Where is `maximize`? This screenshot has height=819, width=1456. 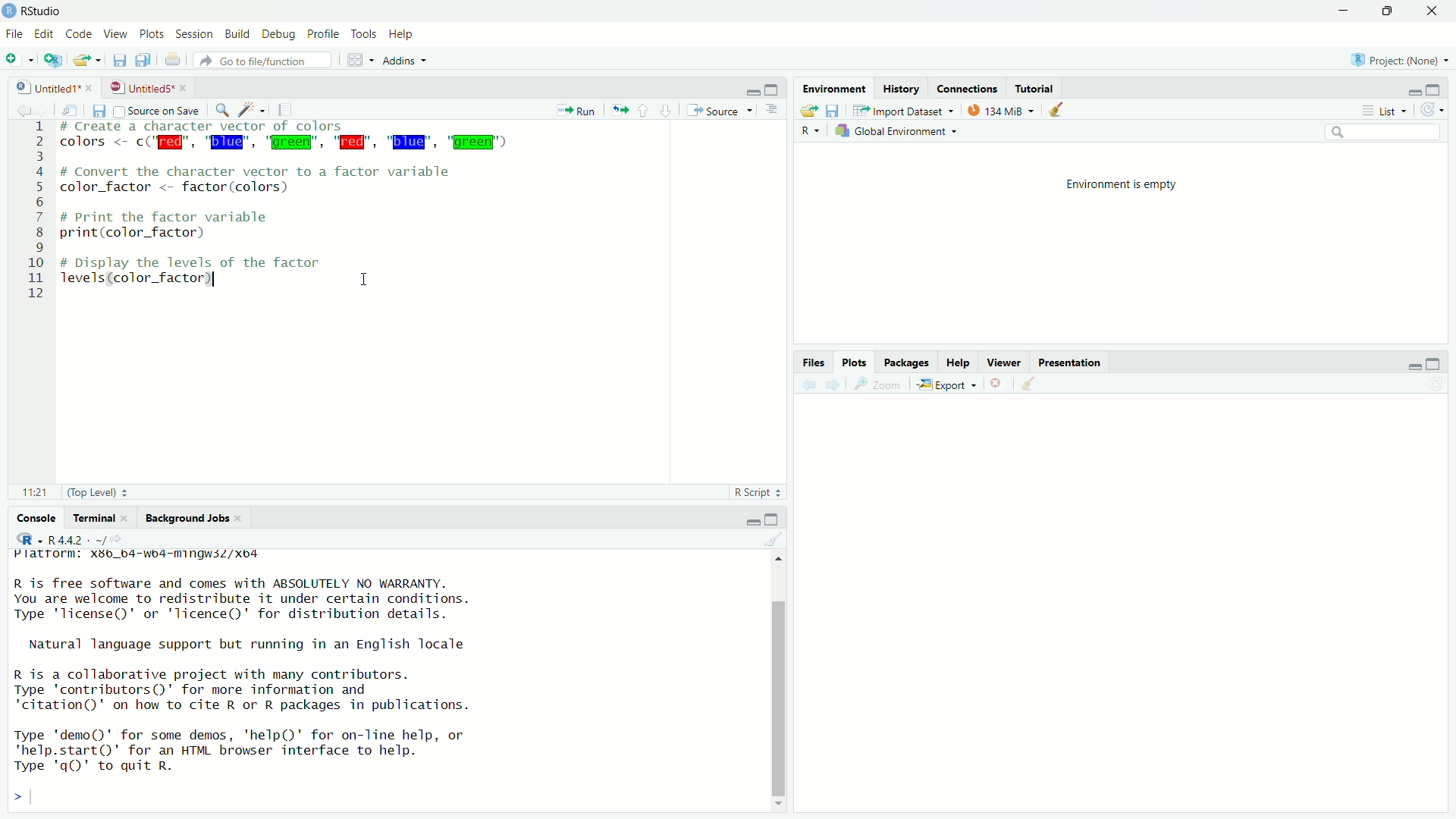 maximize is located at coordinates (1391, 10).